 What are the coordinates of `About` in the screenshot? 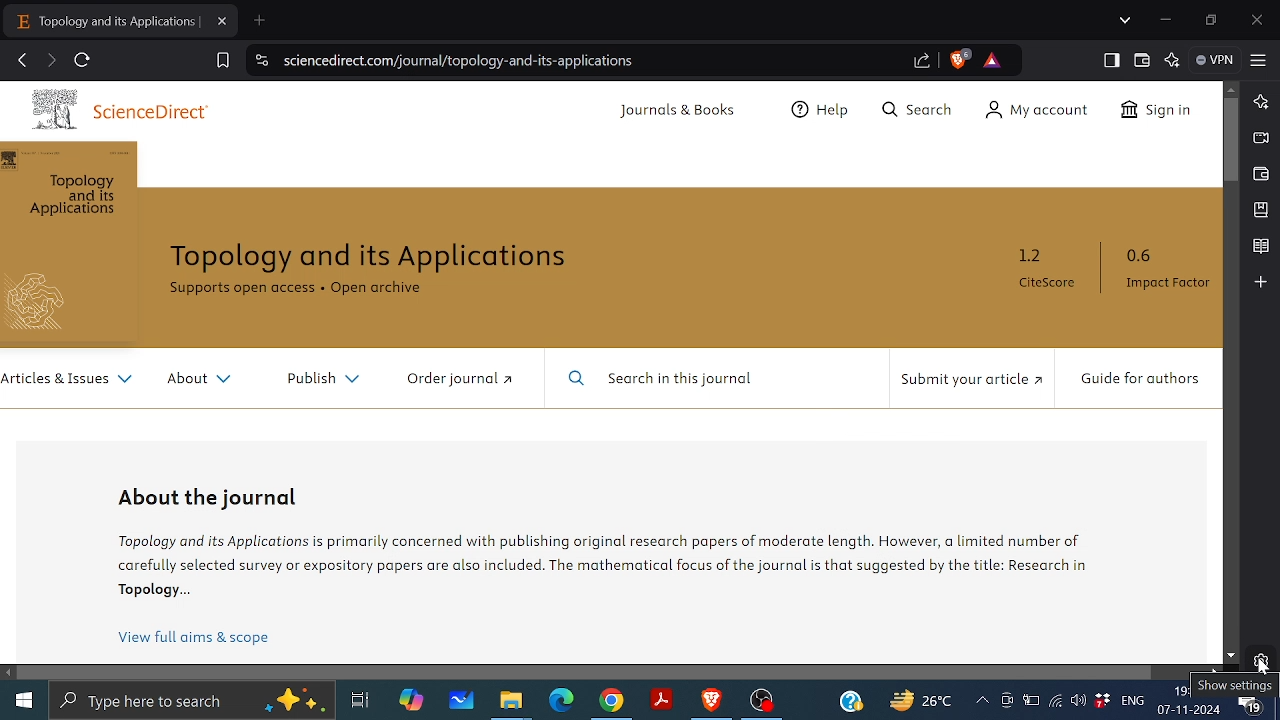 It's located at (197, 379).